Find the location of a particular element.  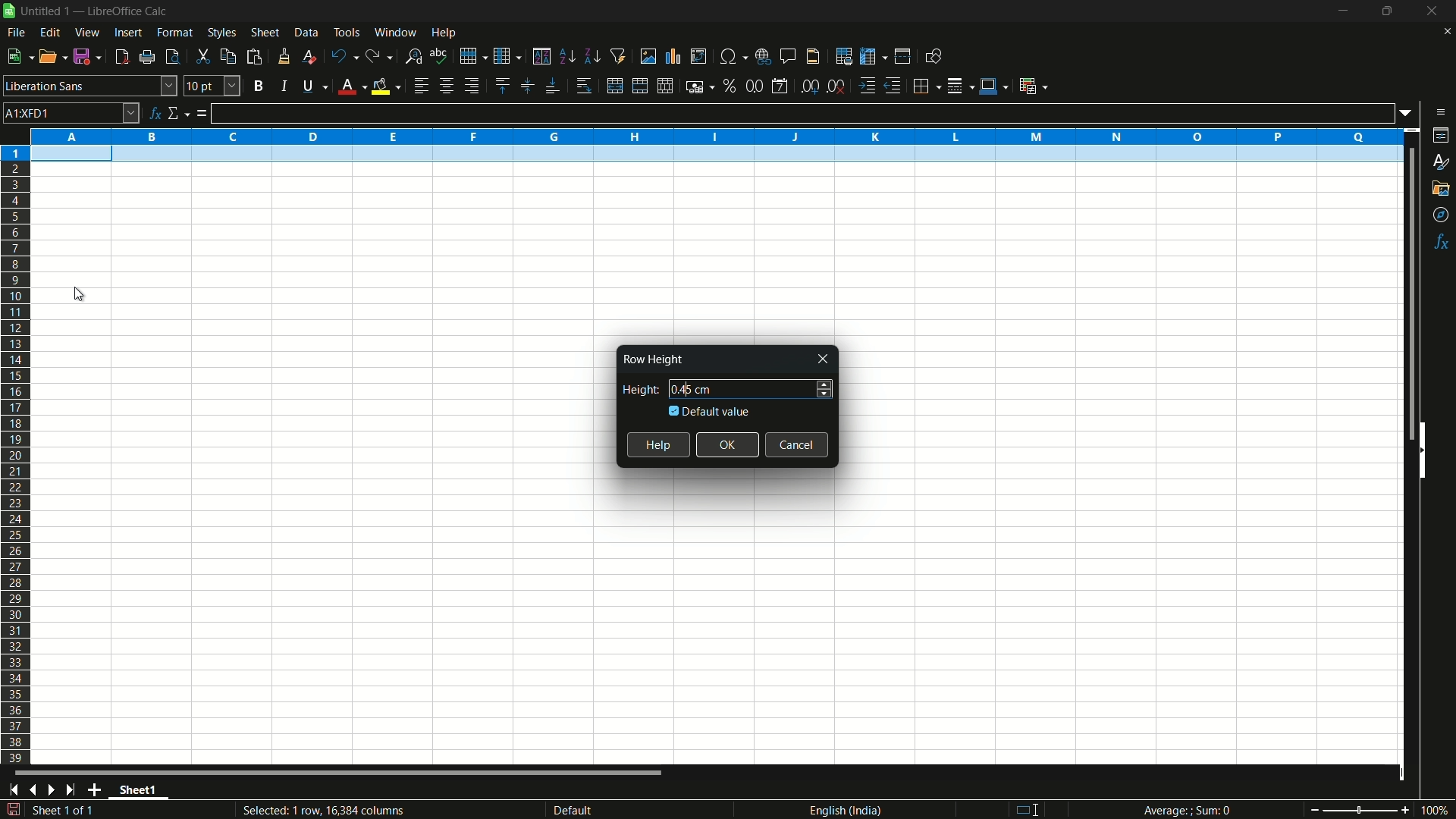

toggle print review is located at coordinates (171, 57).